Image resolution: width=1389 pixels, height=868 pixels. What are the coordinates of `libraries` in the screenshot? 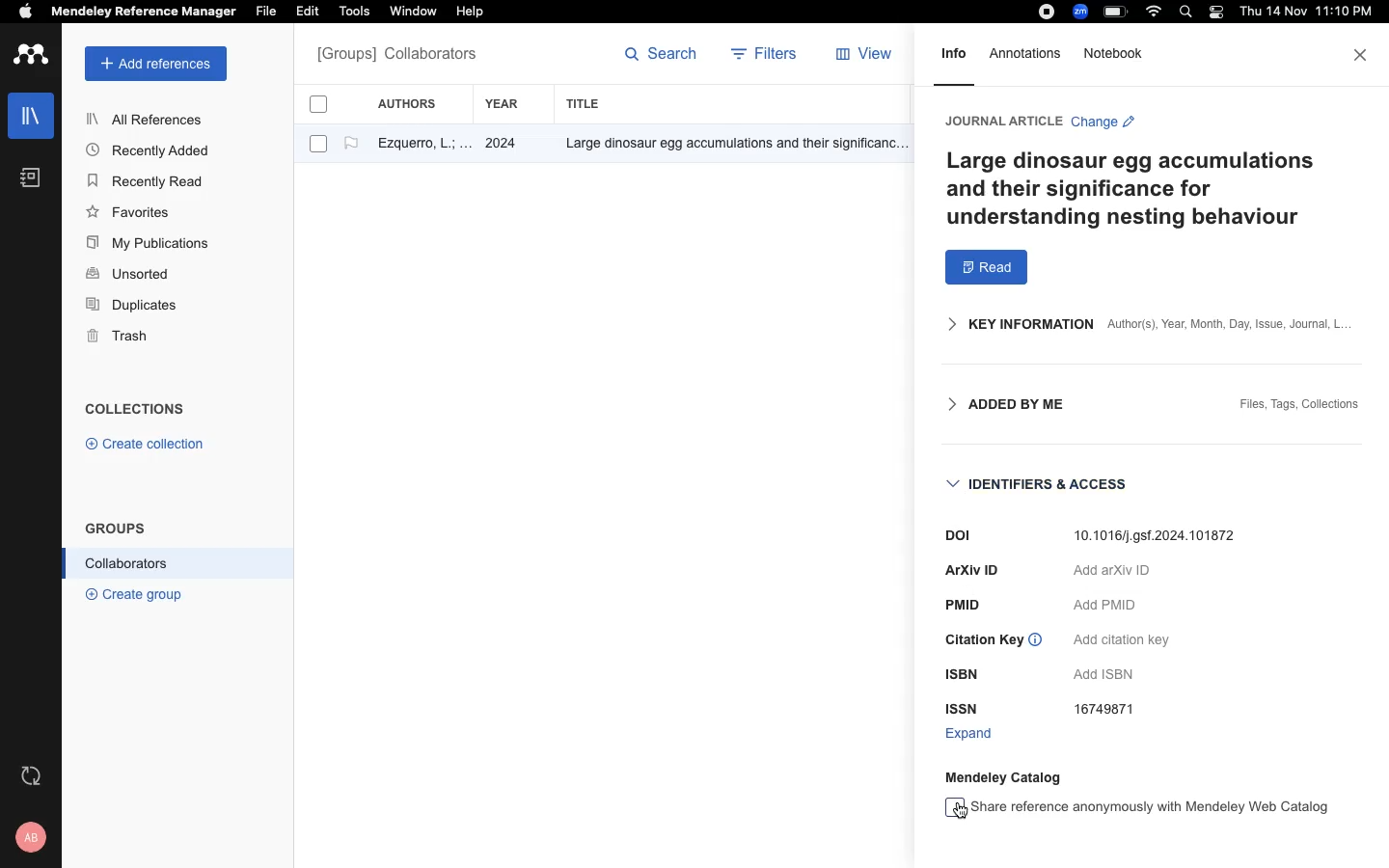 It's located at (29, 114).